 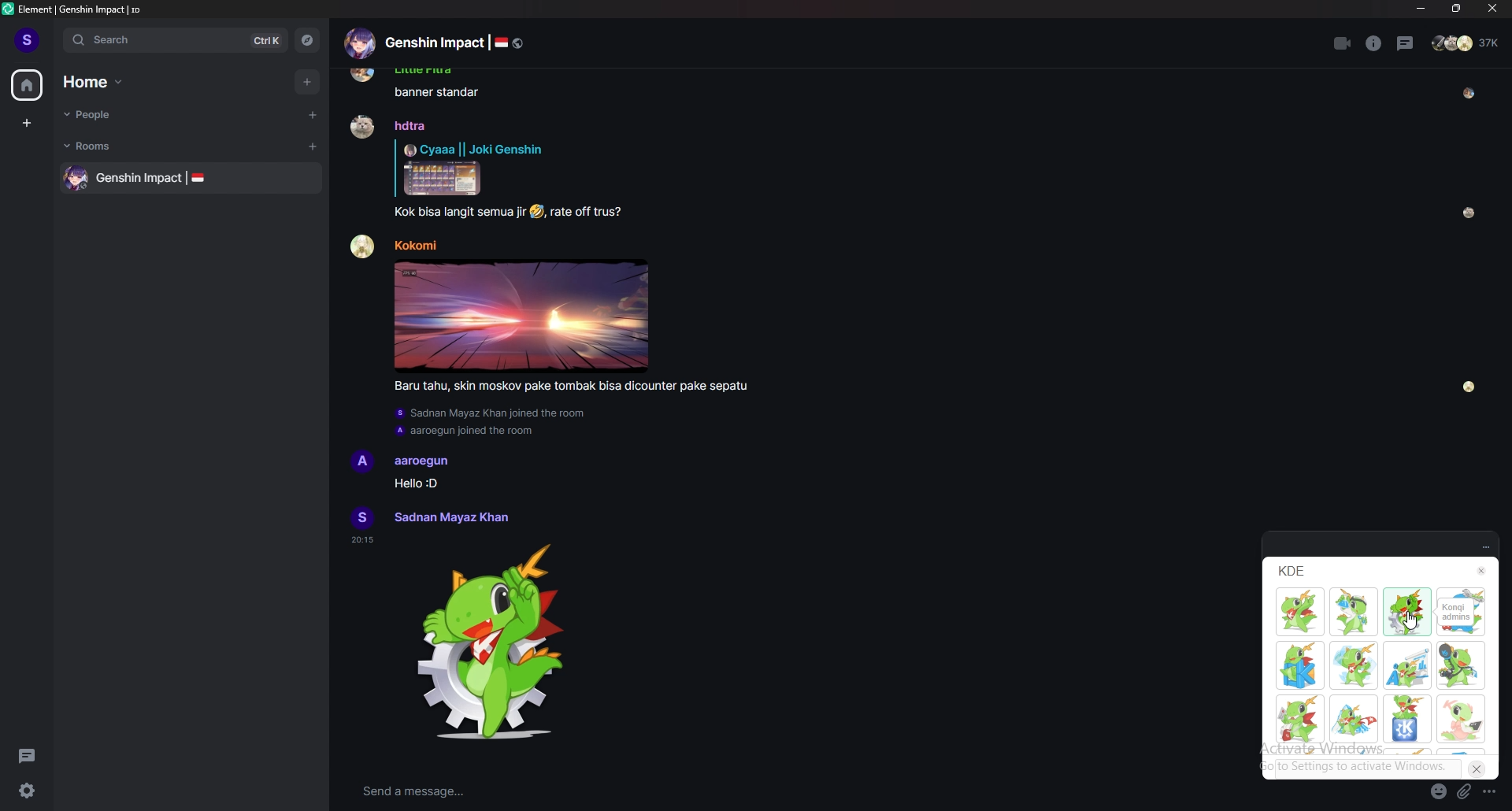 What do you see at coordinates (1461, 665) in the screenshot?
I see `Kongi kommunicates` at bounding box center [1461, 665].